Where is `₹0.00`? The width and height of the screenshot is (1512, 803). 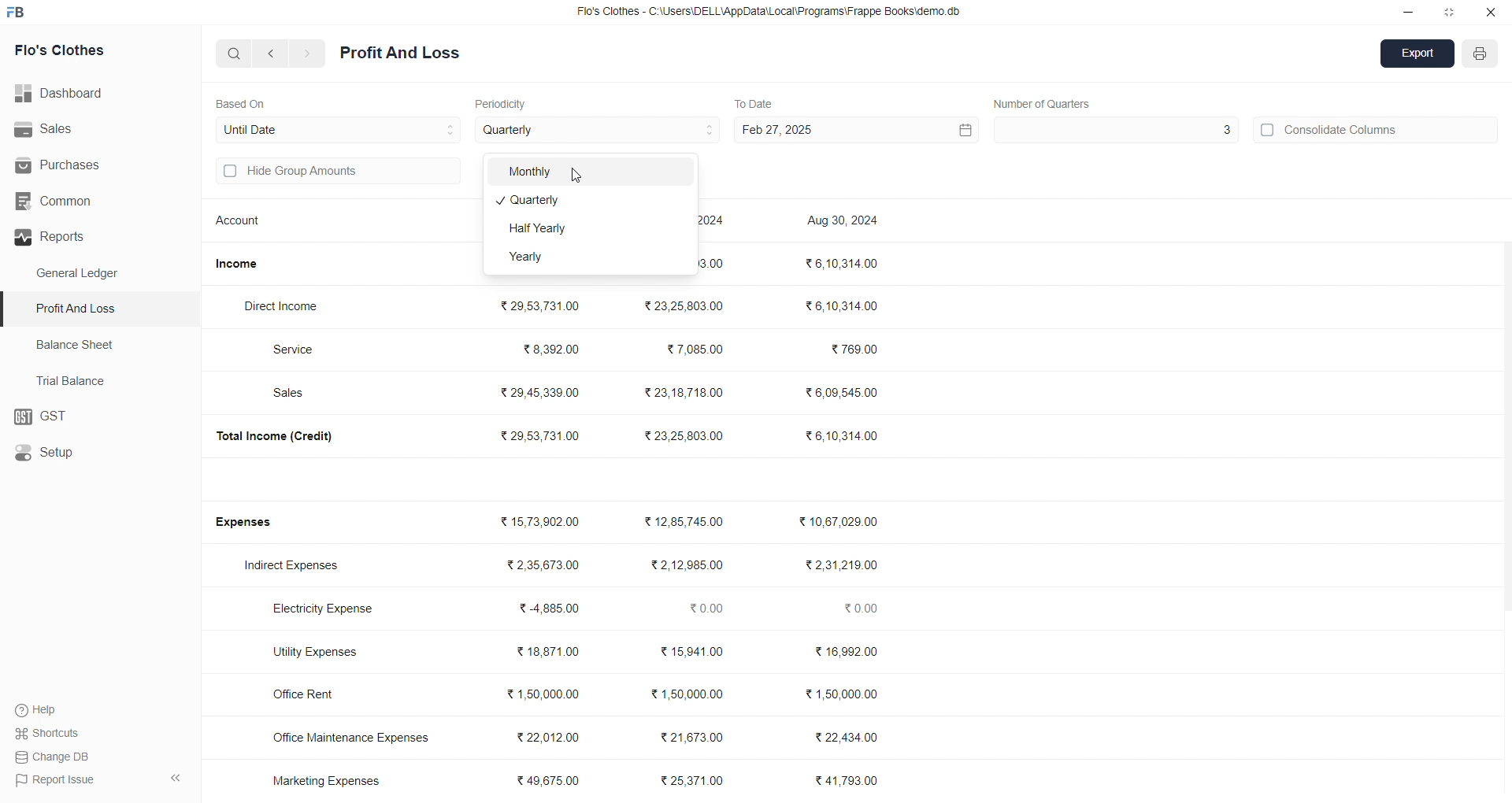
₹0.00 is located at coordinates (866, 609).